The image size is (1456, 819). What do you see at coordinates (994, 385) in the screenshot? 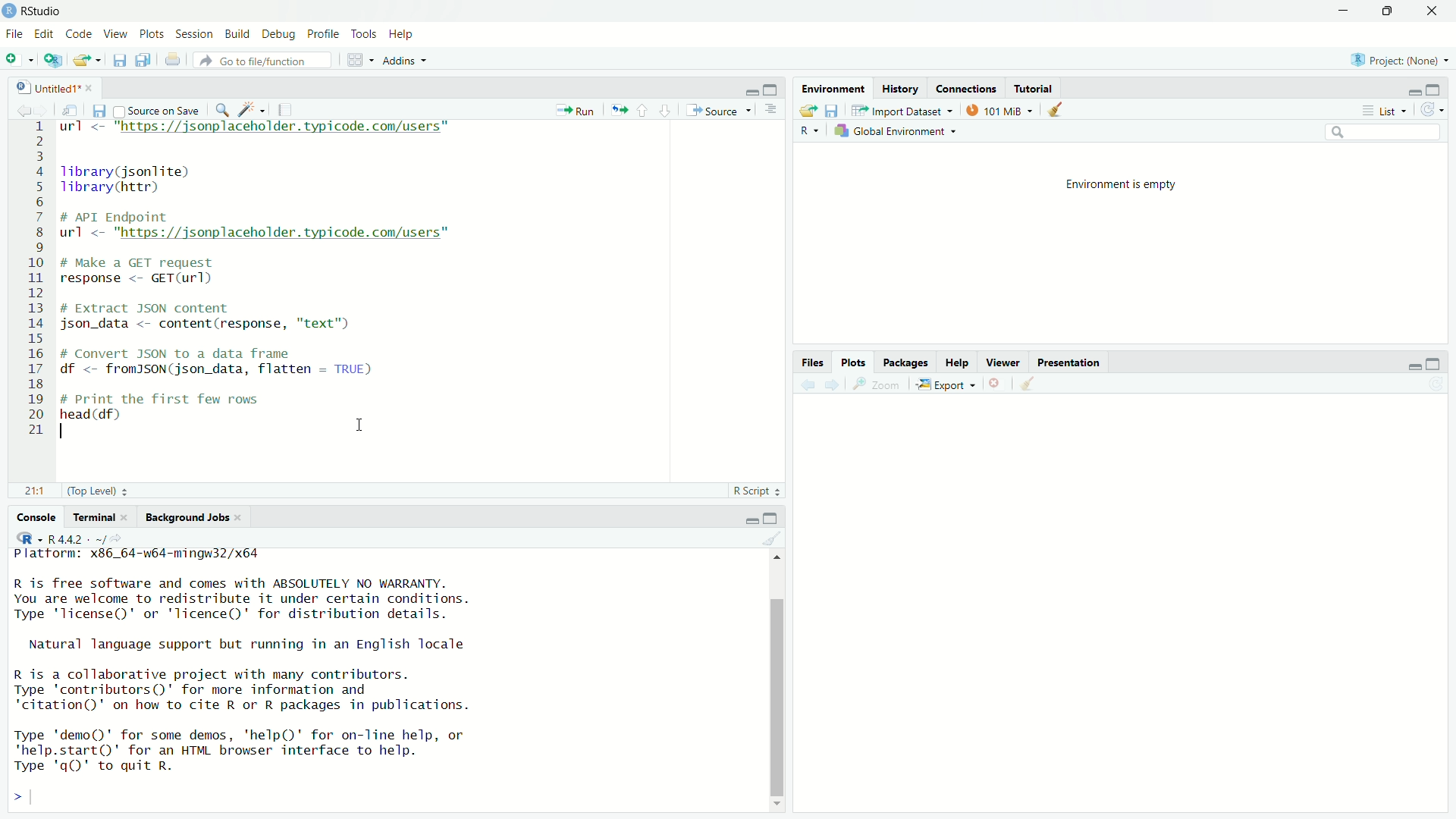
I see `Delete` at bounding box center [994, 385].